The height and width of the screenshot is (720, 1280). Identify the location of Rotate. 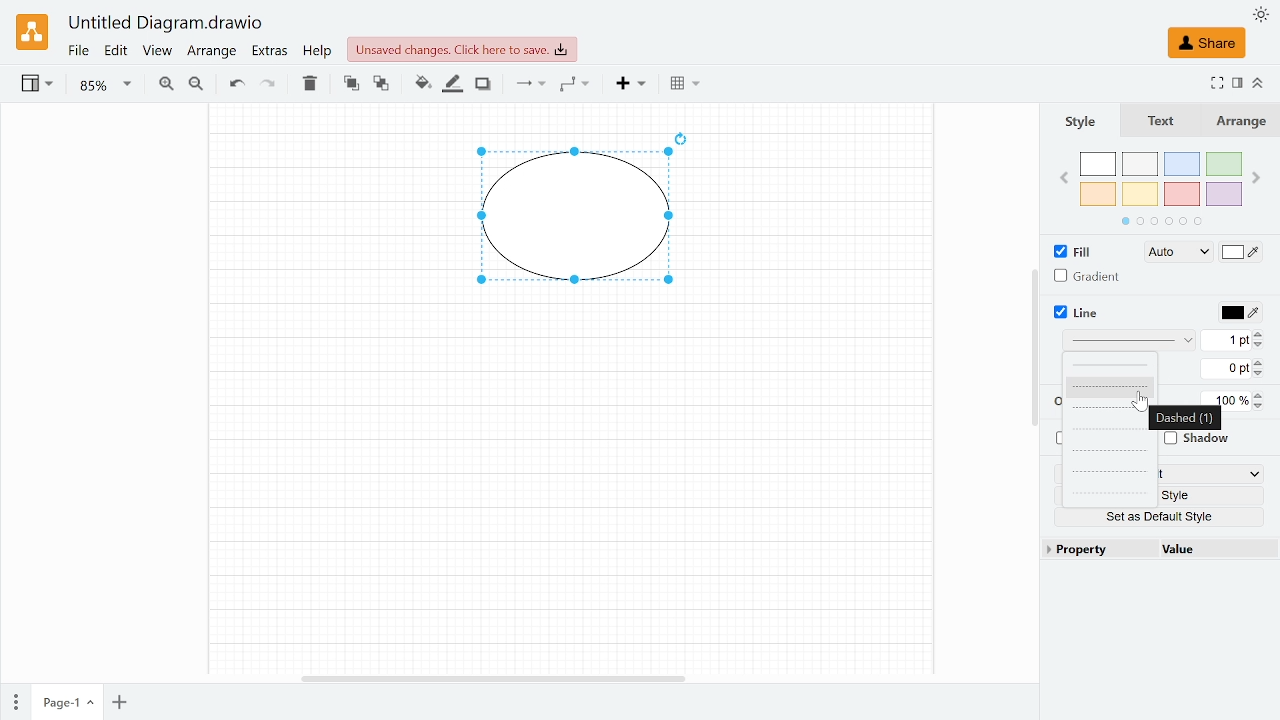
(683, 136).